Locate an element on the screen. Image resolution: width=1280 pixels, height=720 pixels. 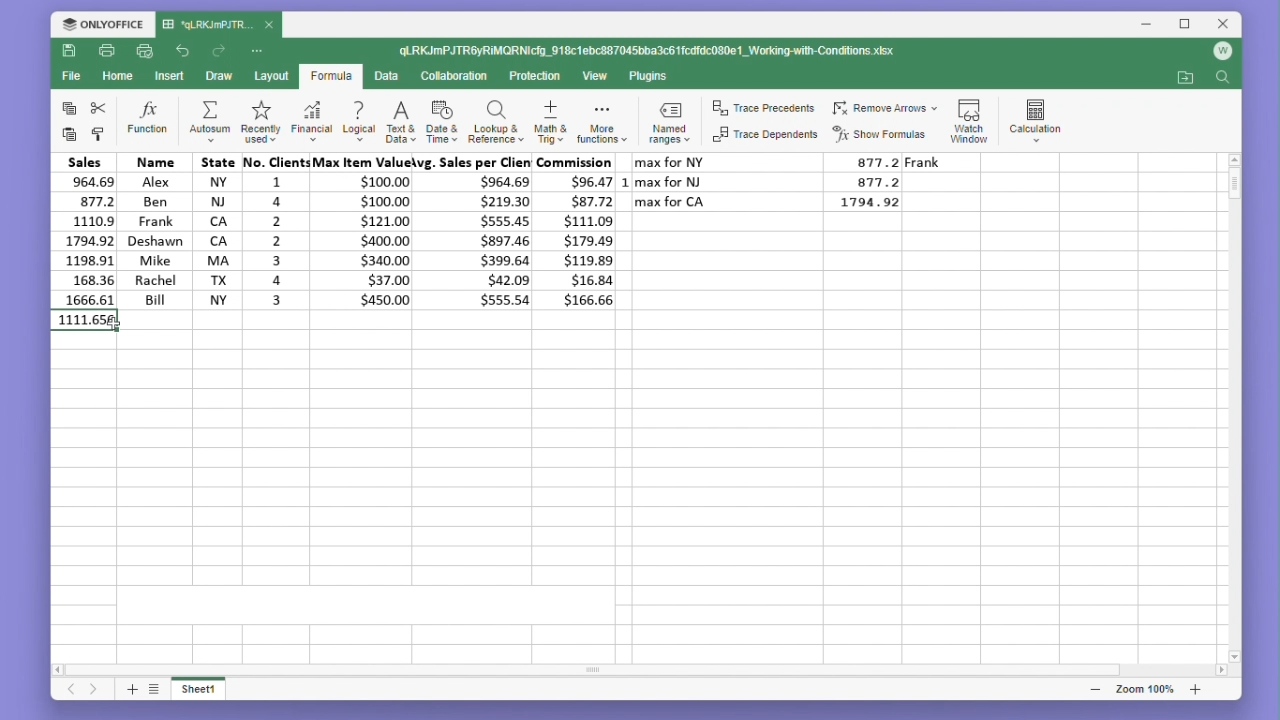
Layout is located at coordinates (271, 76).